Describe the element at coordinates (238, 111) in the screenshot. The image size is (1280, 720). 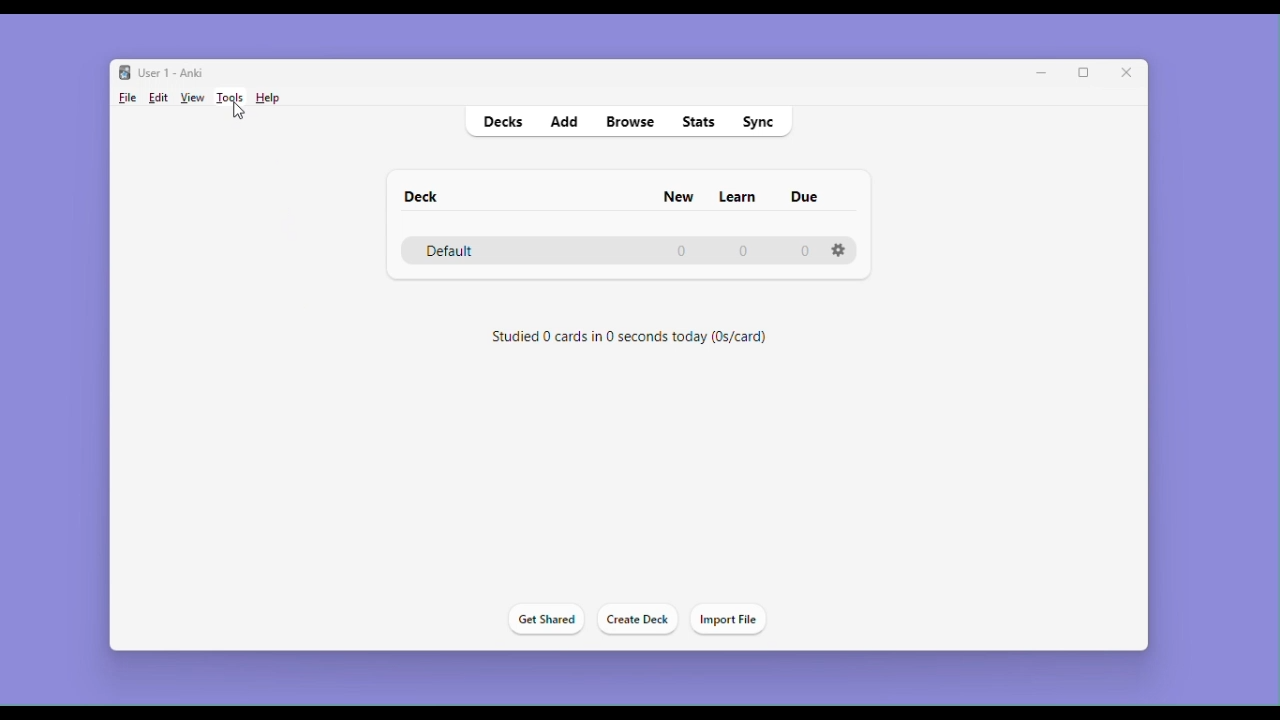
I see `cursor` at that location.